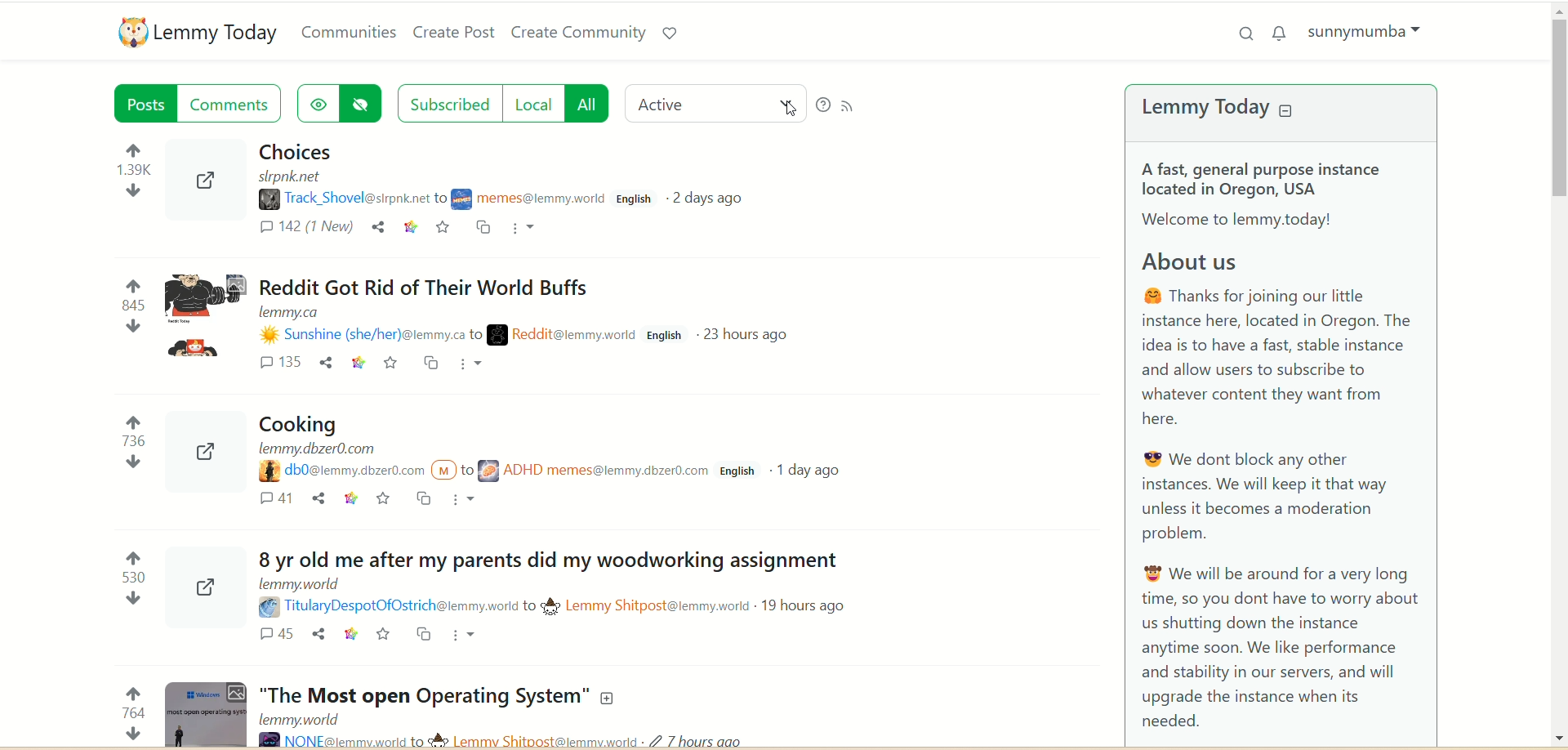 This screenshot has width=1568, height=750. Describe the element at coordinates (357, 362) in the screenshot. I see `Context` at that location.